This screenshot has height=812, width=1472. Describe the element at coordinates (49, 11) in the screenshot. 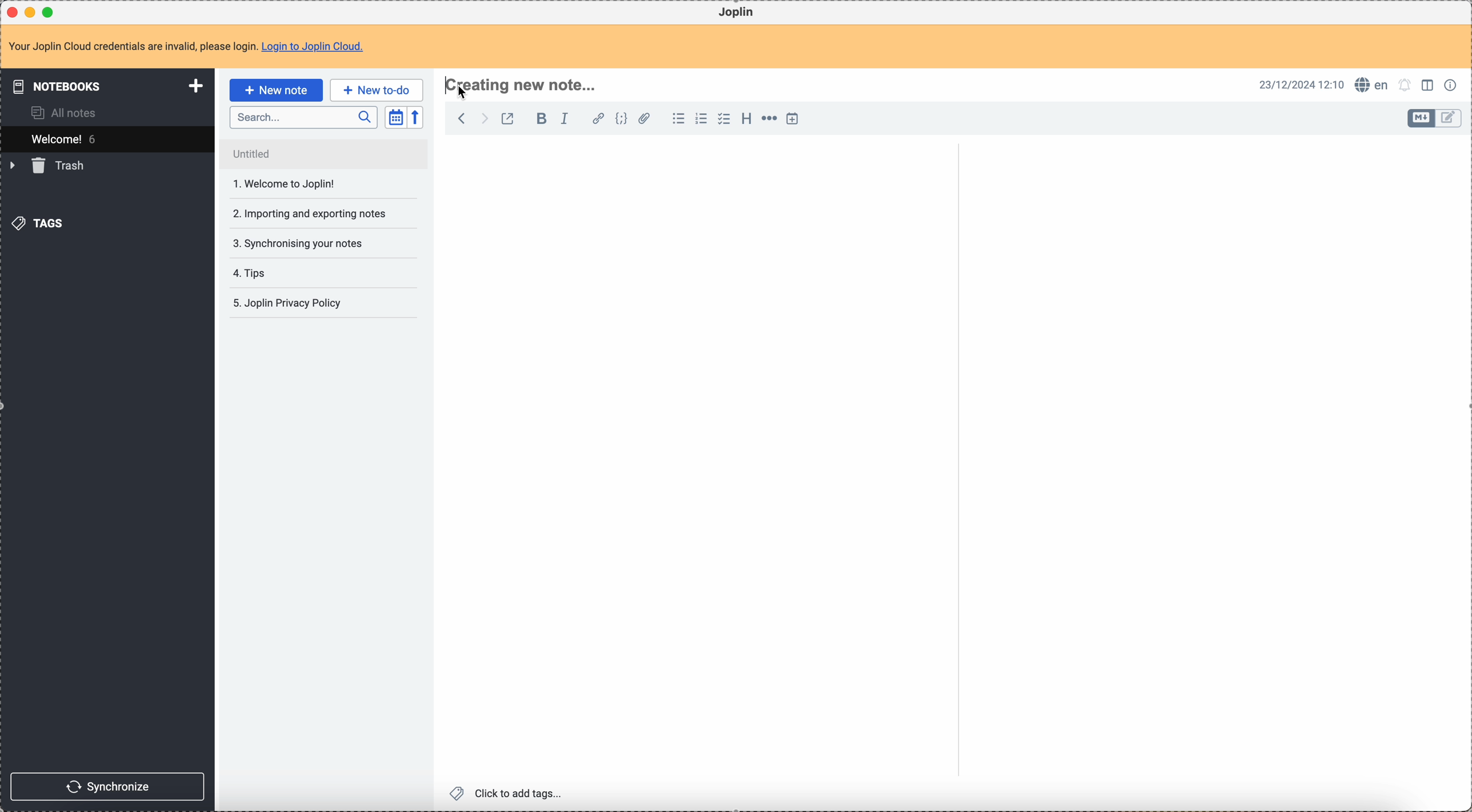

I see `maximize` at that location.